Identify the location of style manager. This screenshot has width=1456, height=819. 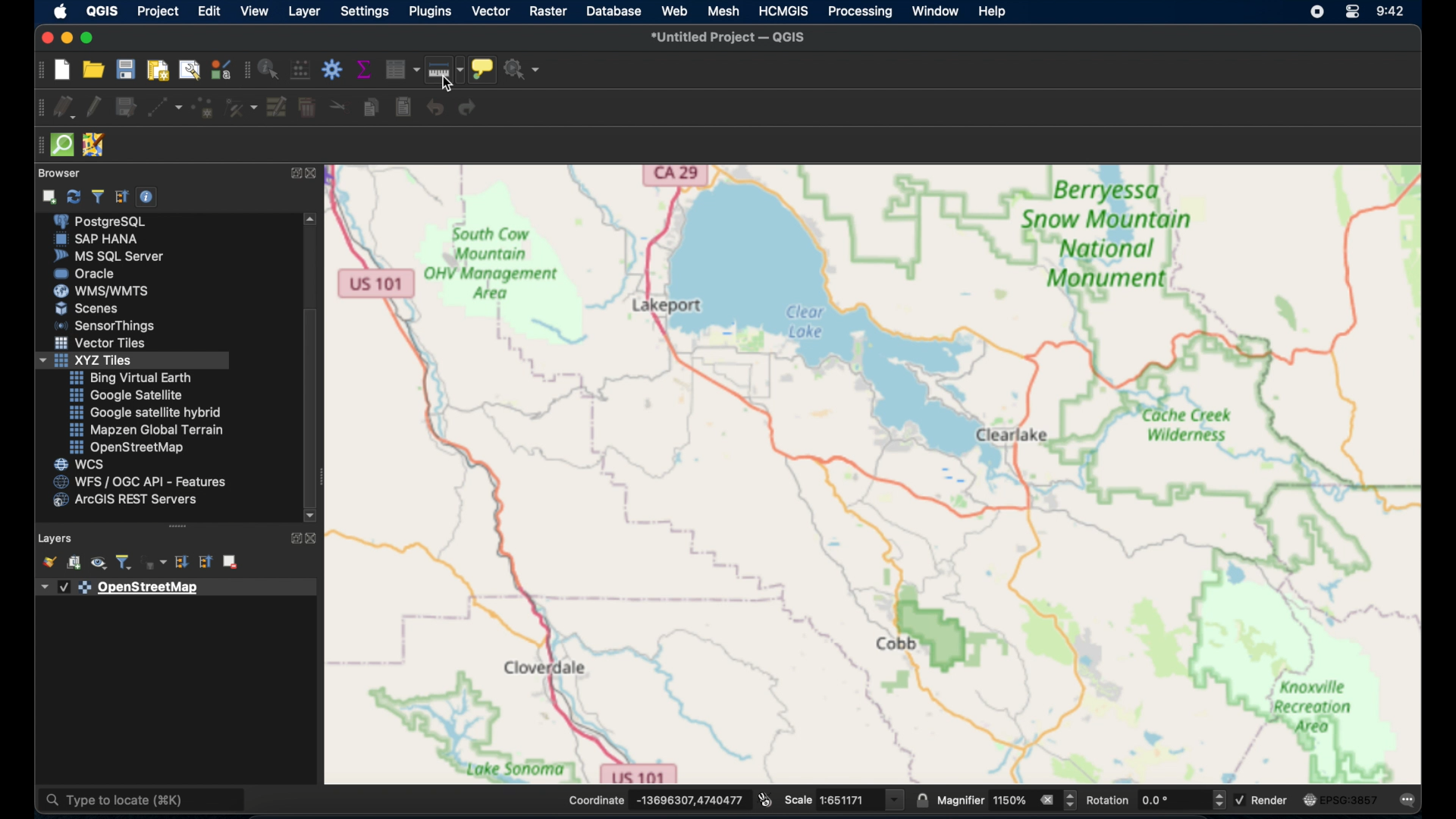
(242, 108).